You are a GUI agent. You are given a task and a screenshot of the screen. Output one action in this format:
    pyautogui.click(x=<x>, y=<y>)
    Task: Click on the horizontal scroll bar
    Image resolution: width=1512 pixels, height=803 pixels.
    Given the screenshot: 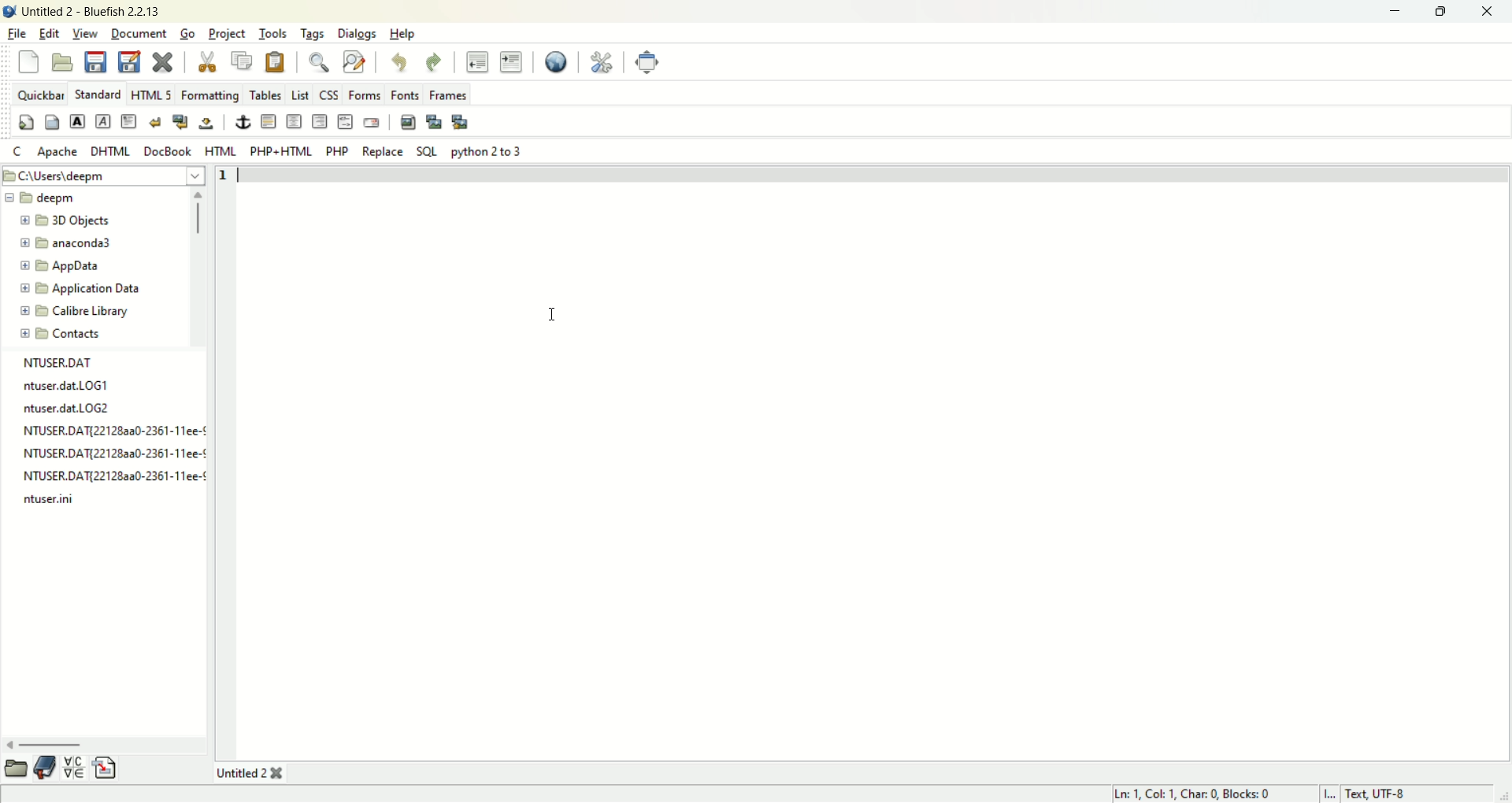 What is the action you would take?
    pyautogui.click(x=105, y=744)
    